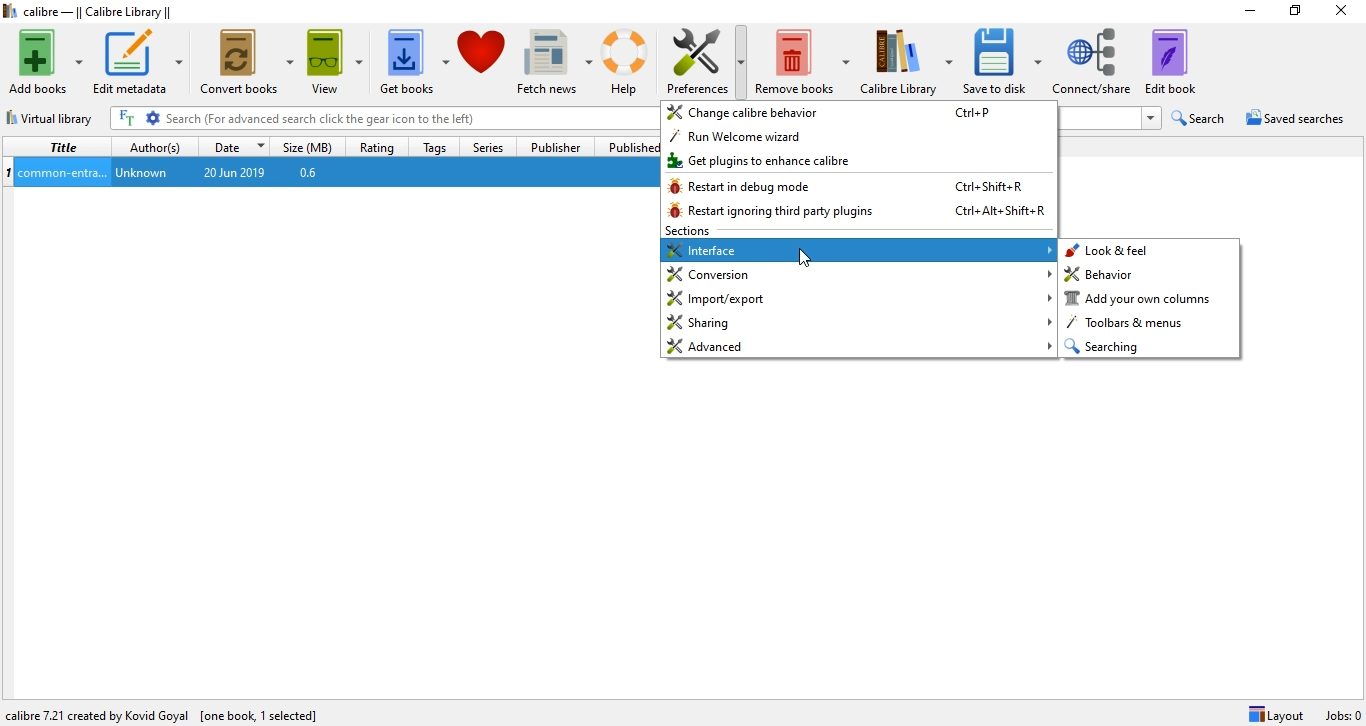  Describe the element at coordinates (140, 62) in the screenshot. I see `Edit metadata` at that location.